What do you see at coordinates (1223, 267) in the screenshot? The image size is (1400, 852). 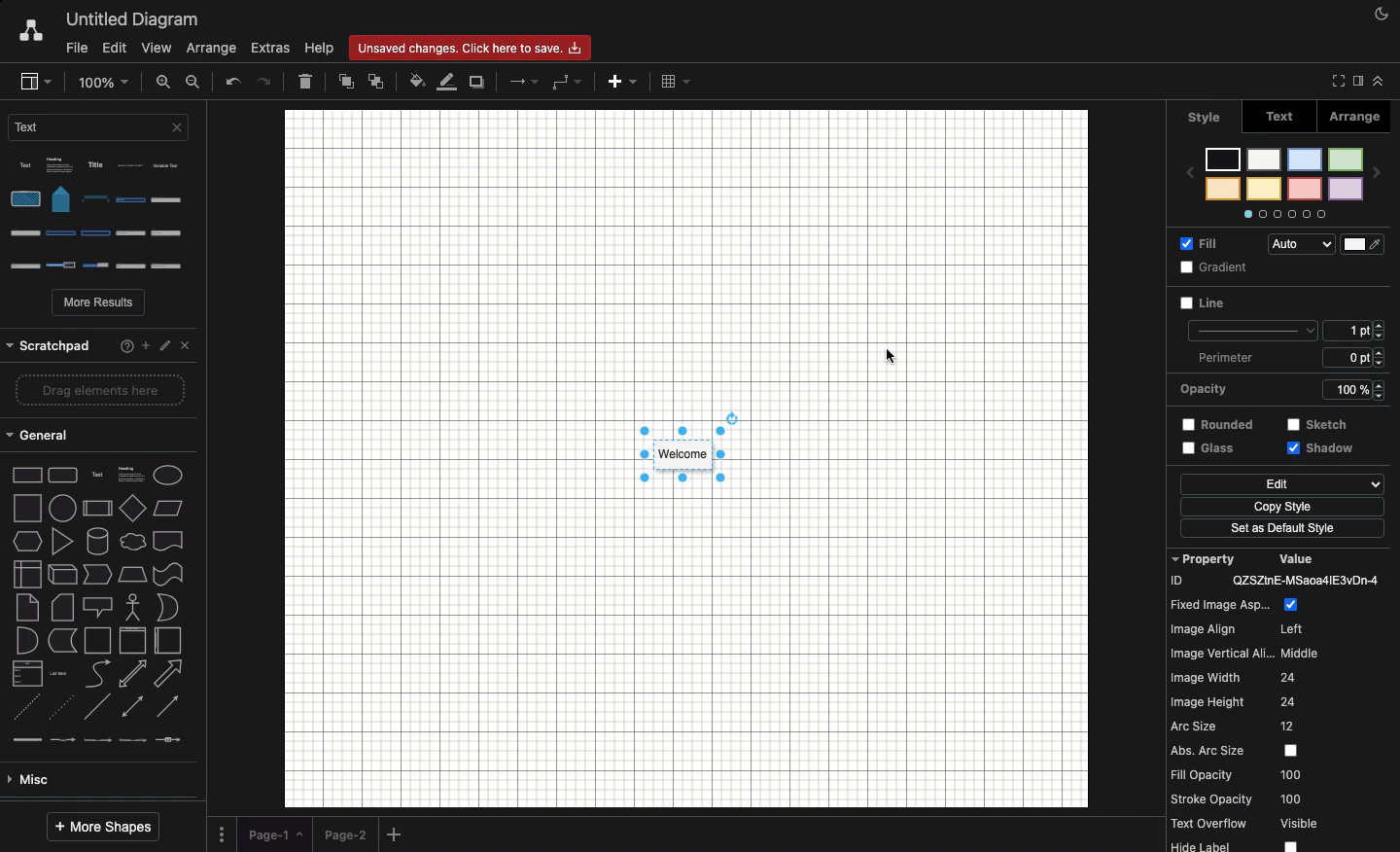 I see `Line` at bounding box center [1223, 267].